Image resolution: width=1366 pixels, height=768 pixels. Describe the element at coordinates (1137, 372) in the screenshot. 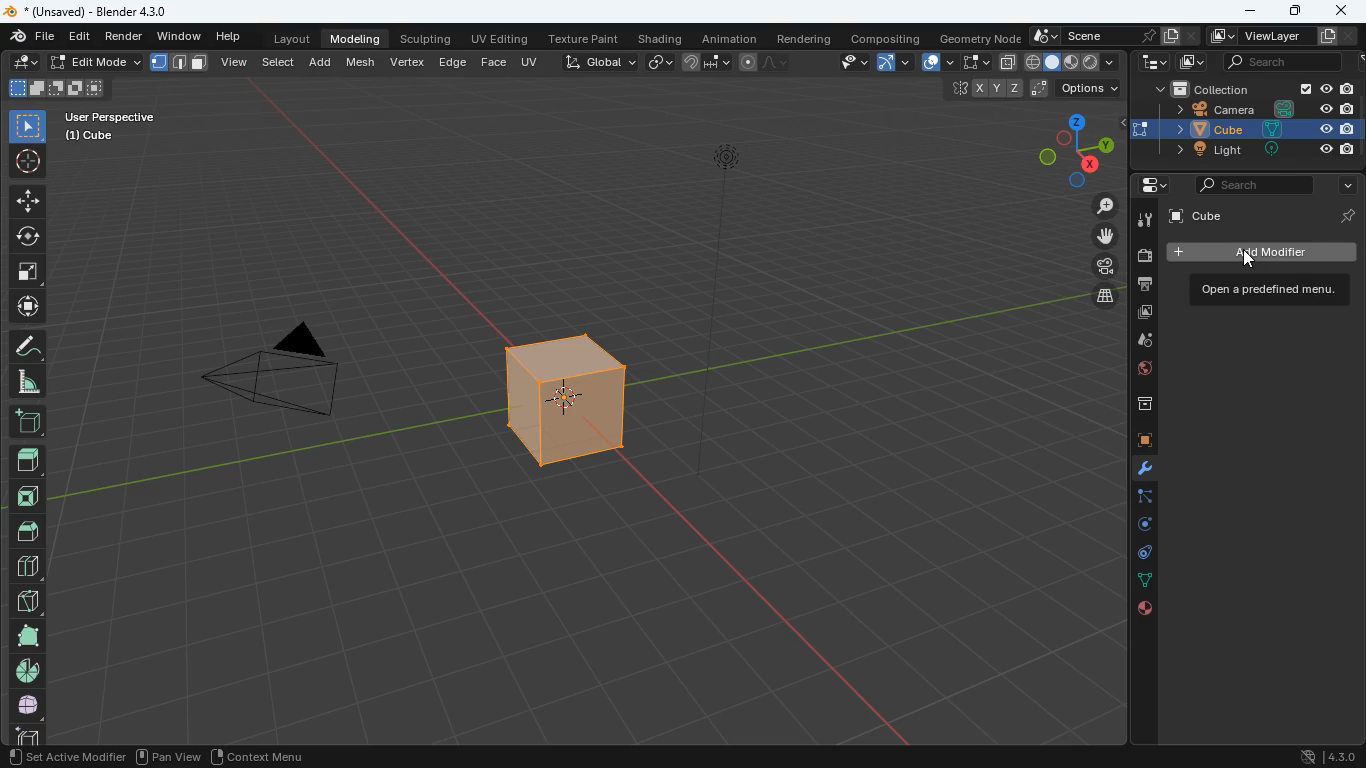

I see `globe` at that location.